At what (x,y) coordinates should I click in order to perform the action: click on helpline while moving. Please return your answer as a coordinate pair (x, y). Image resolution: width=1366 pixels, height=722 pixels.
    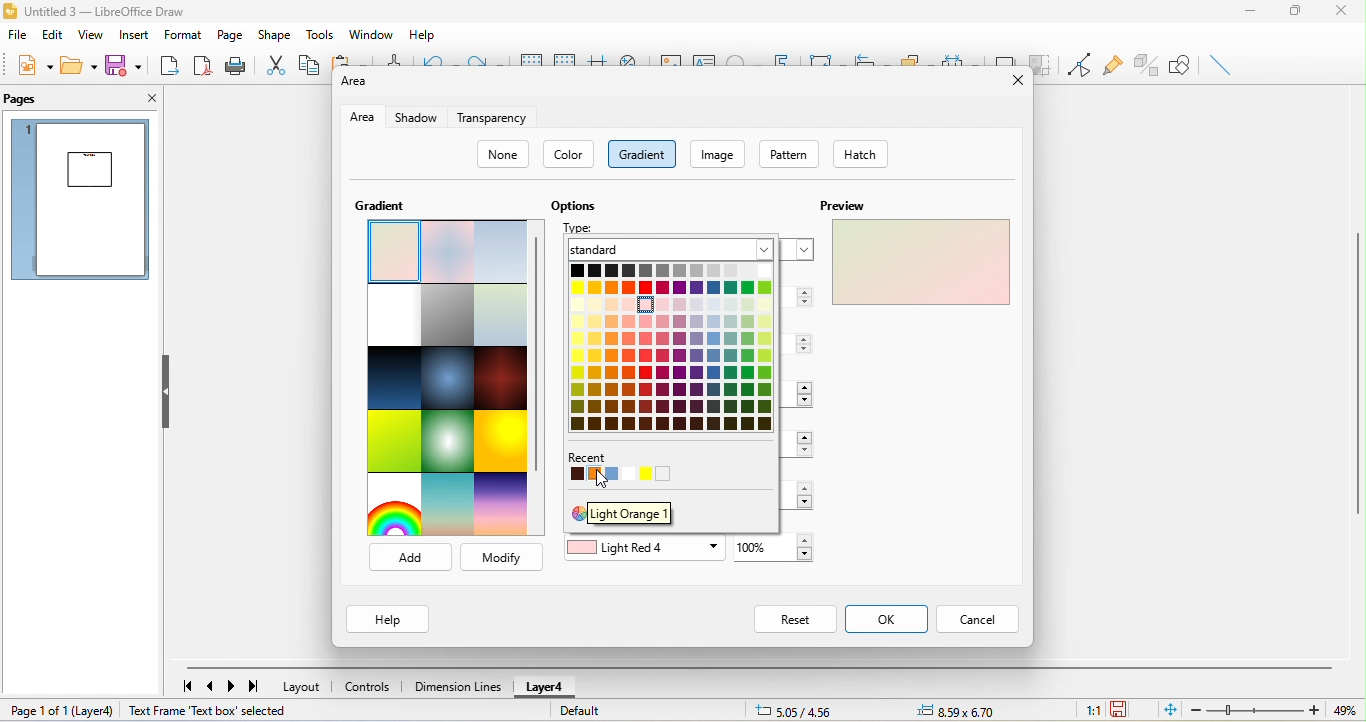
    Looking at the image, I should click on (599, 57).